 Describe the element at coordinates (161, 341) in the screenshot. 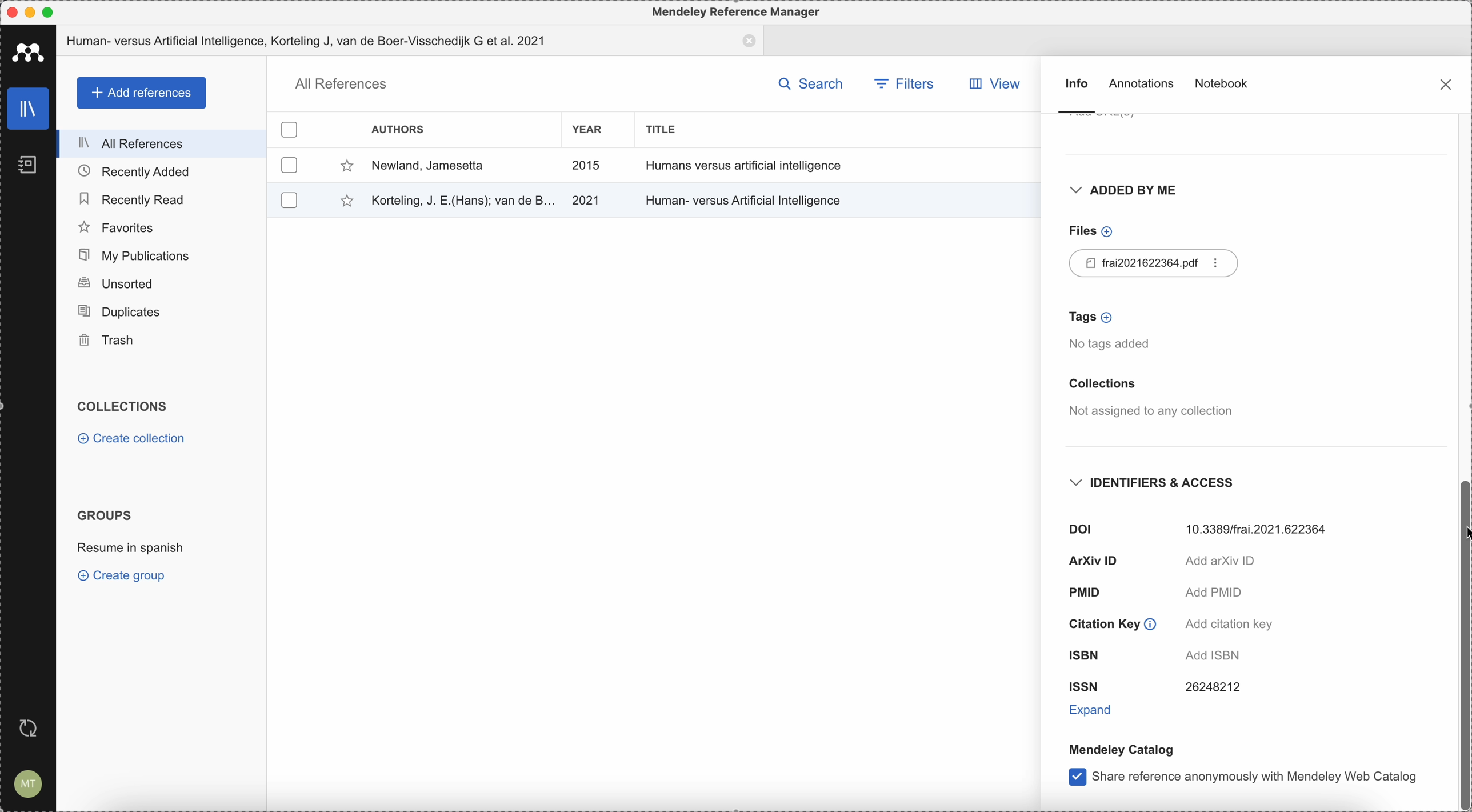

I see `trash` at that location.